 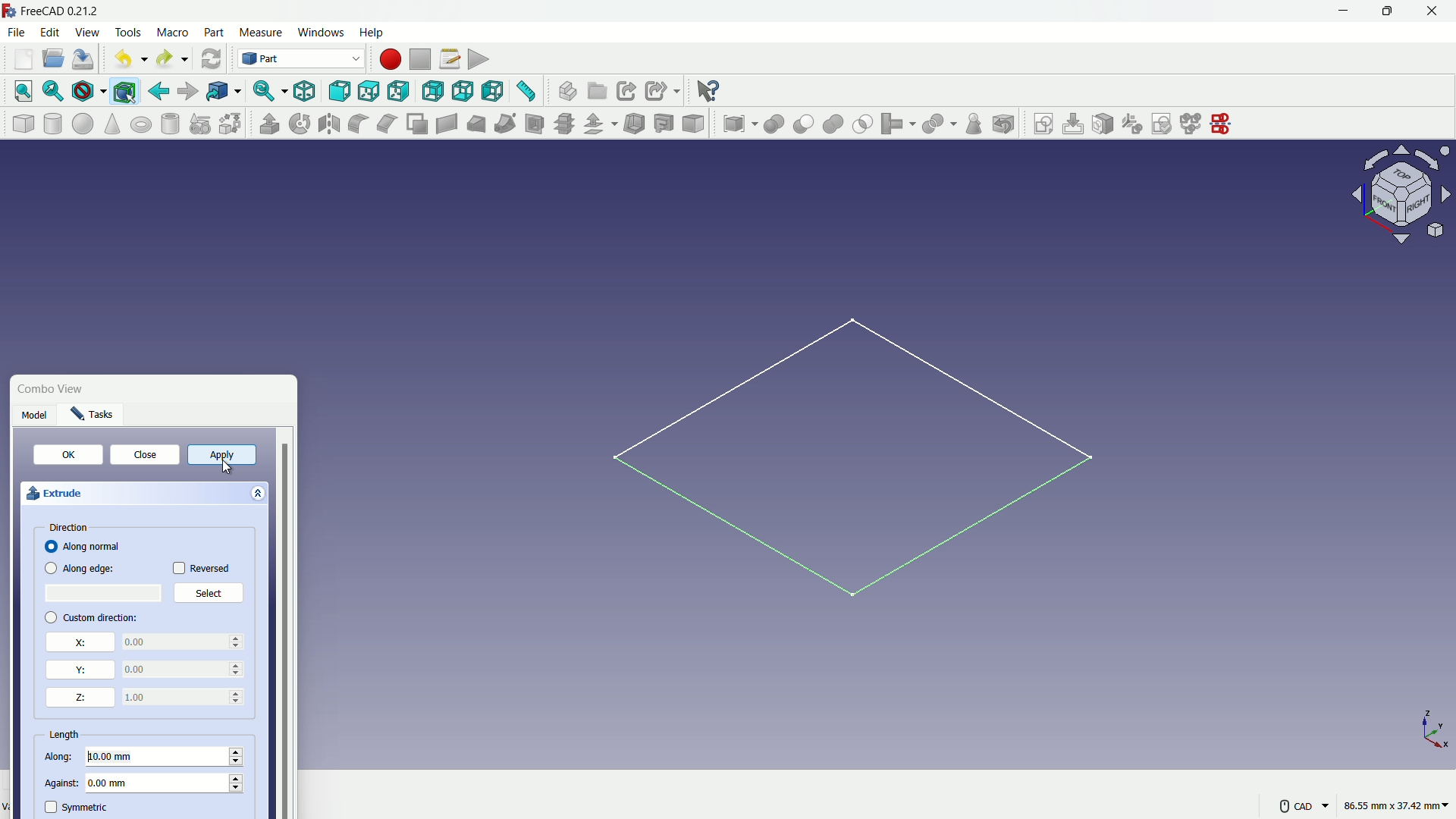 I want to click on checkbox, so click(x=50, y=547).